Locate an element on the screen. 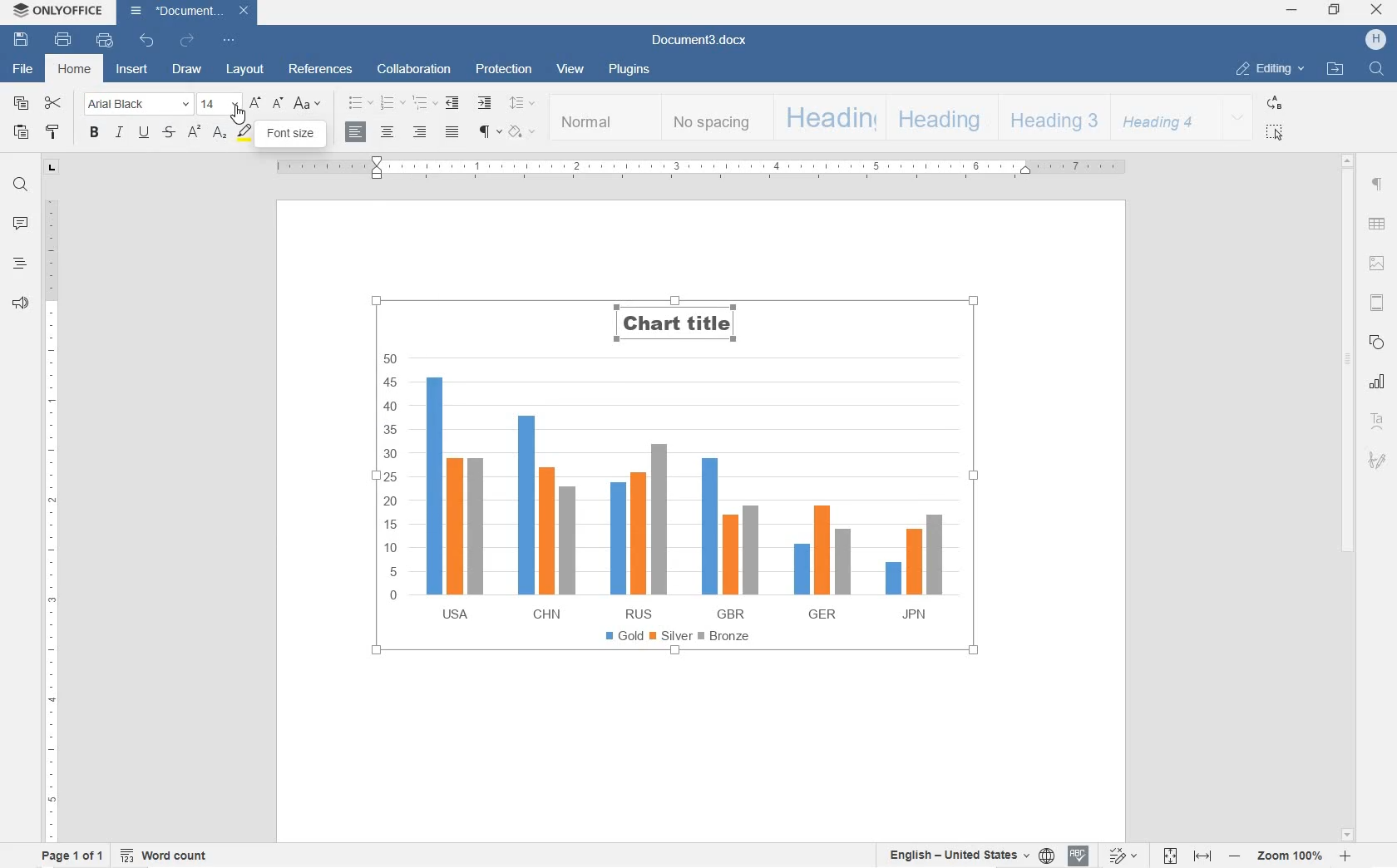 The width and height of the screenshot is (1397, 868). PARAGRAPH SETTINGS is located at coordinates (1377, 184).